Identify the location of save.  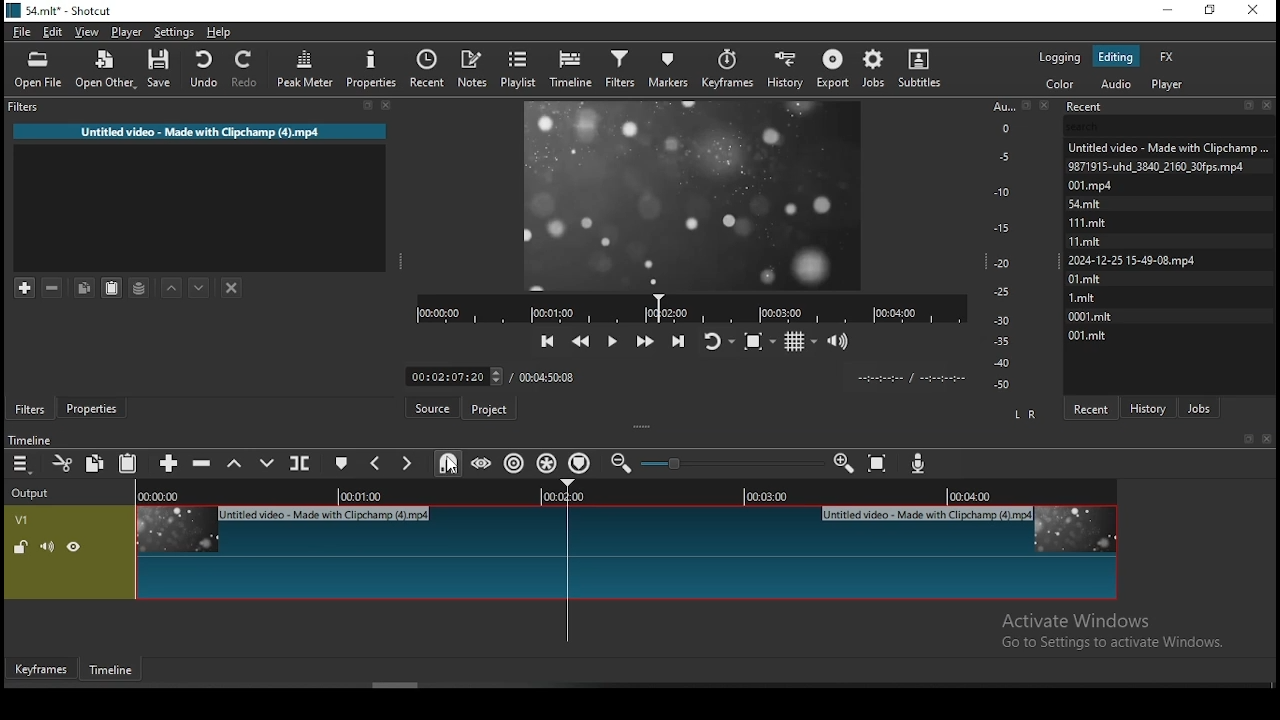
(163, 68).